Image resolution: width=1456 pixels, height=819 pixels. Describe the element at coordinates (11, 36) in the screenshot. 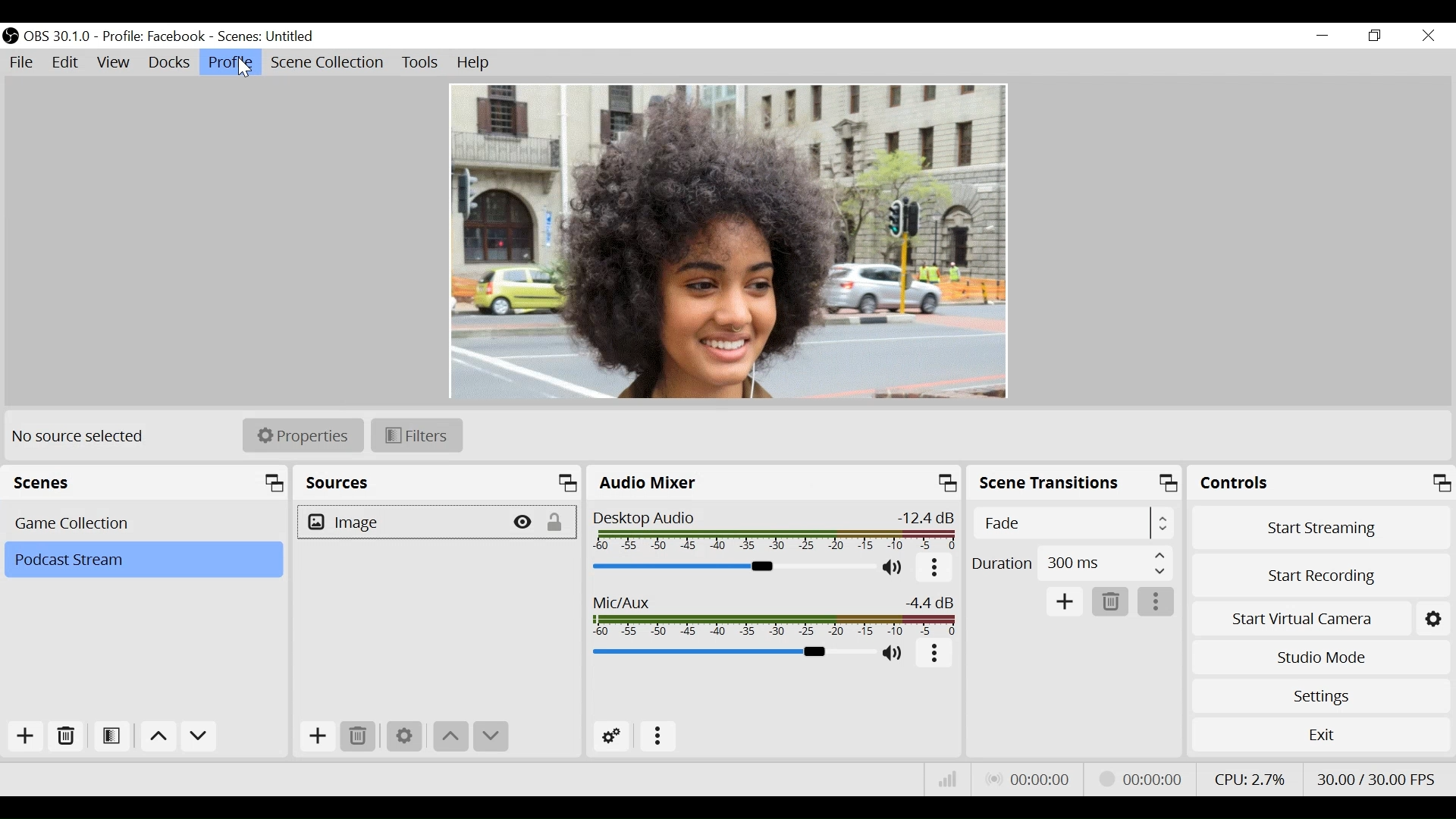

I see `OBS Studio Desktop Icon` at that location.